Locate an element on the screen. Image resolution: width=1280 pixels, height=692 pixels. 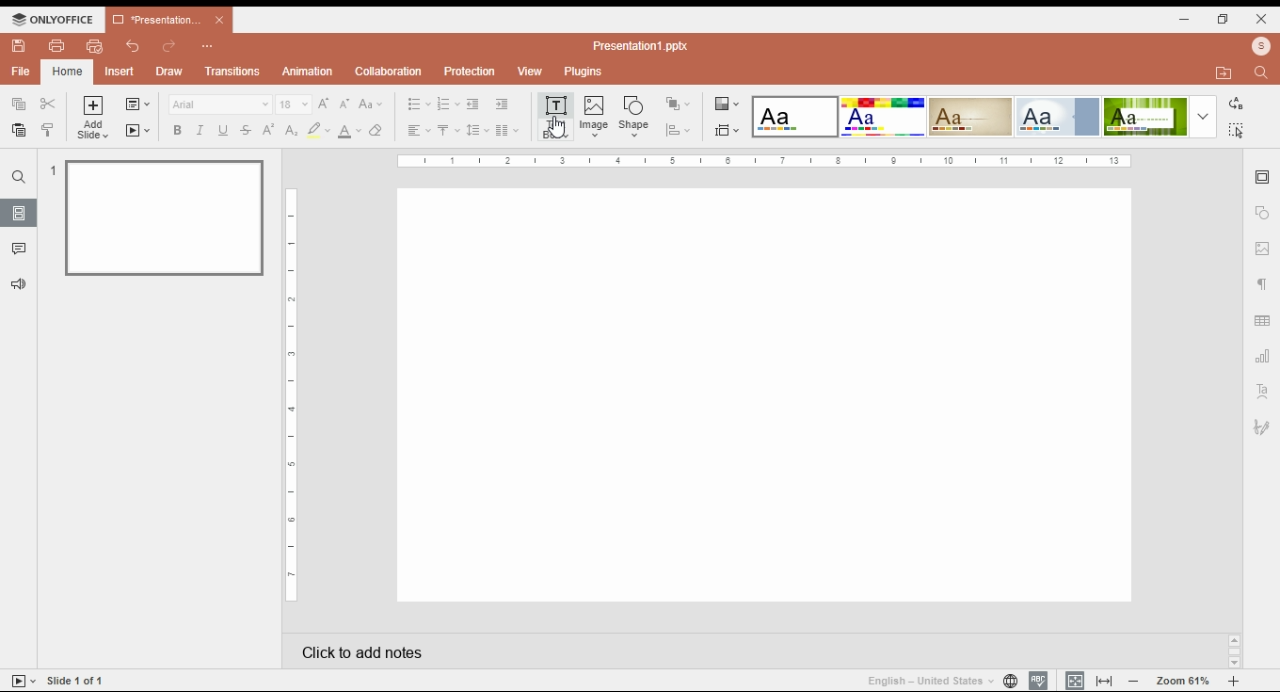
protection is located at coordinates (470, 70).